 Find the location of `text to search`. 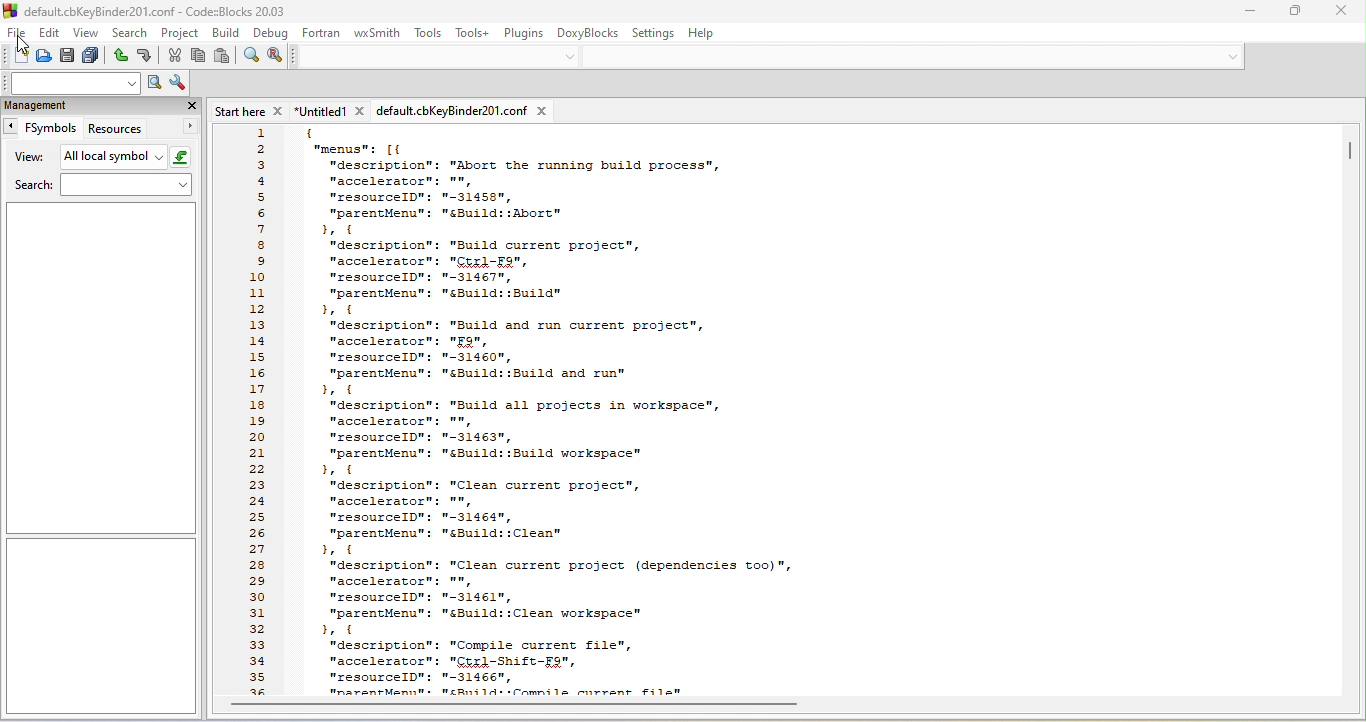

text to search is located at coordinates (70, 84).